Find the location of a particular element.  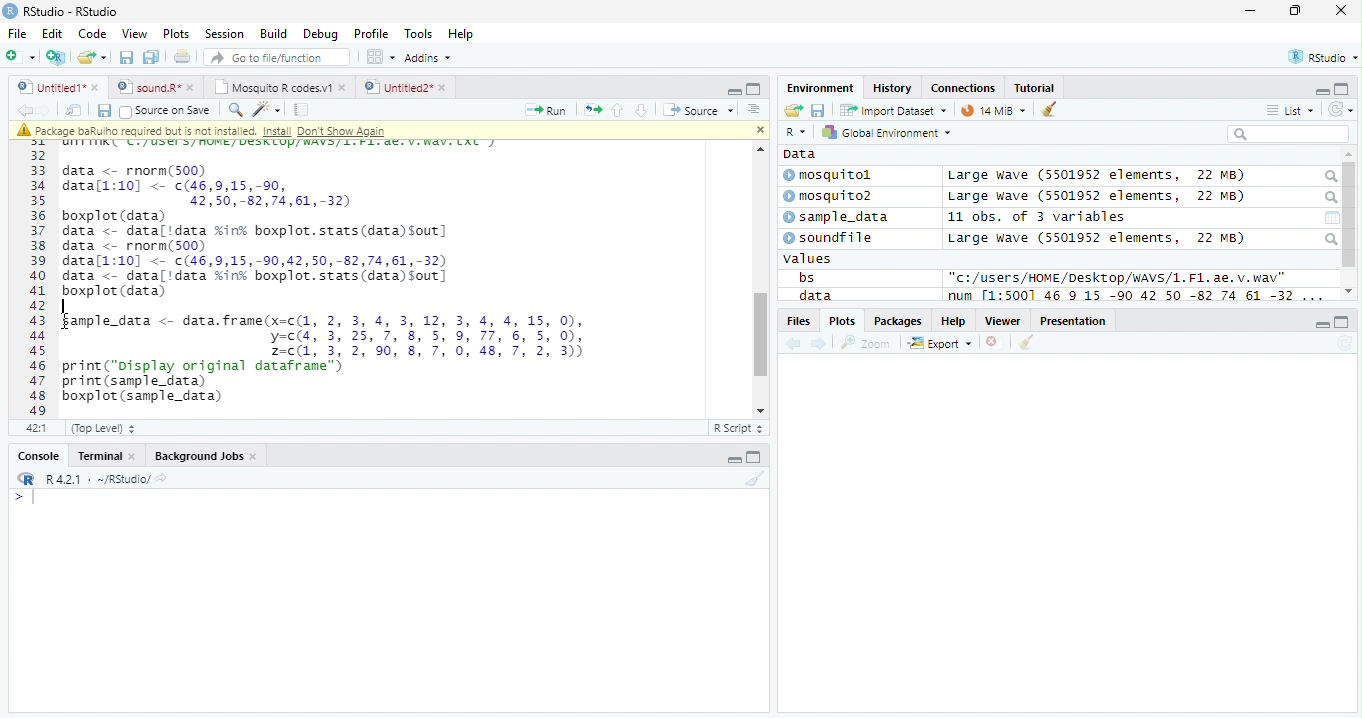

Mosquito R codes.v1 is located at coordinates (277, 86).